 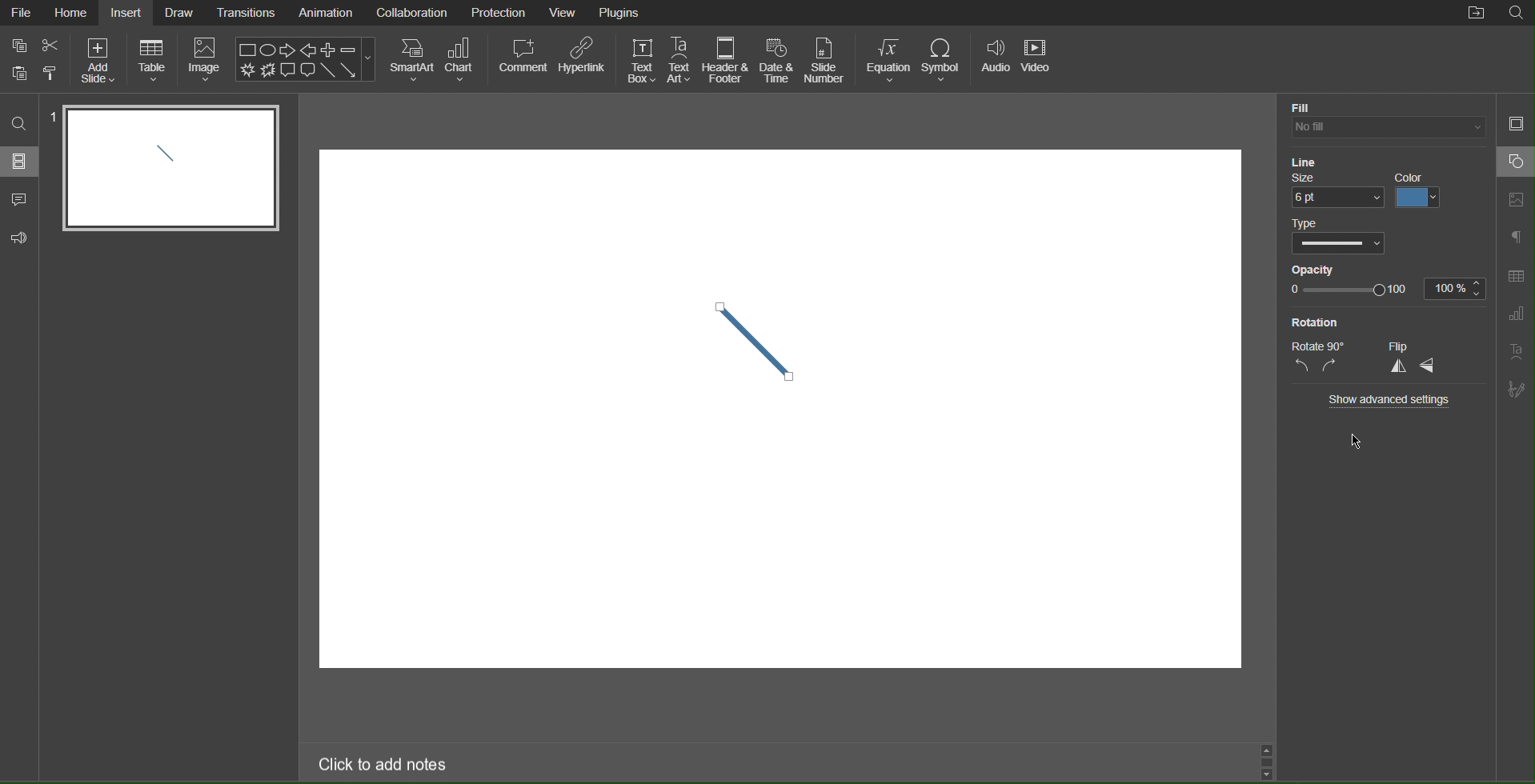 What do you see at coordinates (1517, 238) in the screenshot?
I see `Paragraph Settings` at bounding box center [1517, 238].